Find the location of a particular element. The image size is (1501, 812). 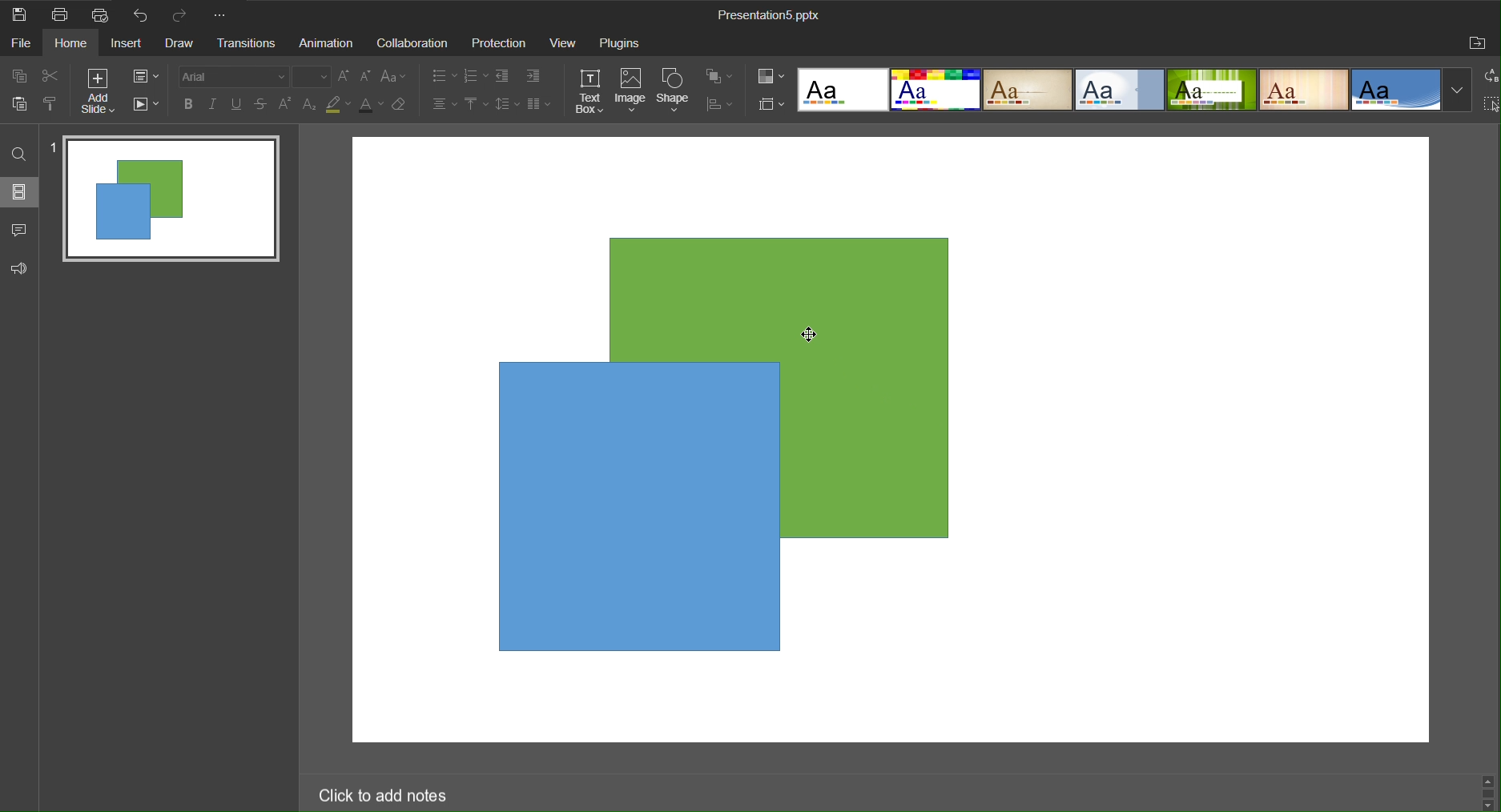

Strikethrough is located at coordinates (260, 104).